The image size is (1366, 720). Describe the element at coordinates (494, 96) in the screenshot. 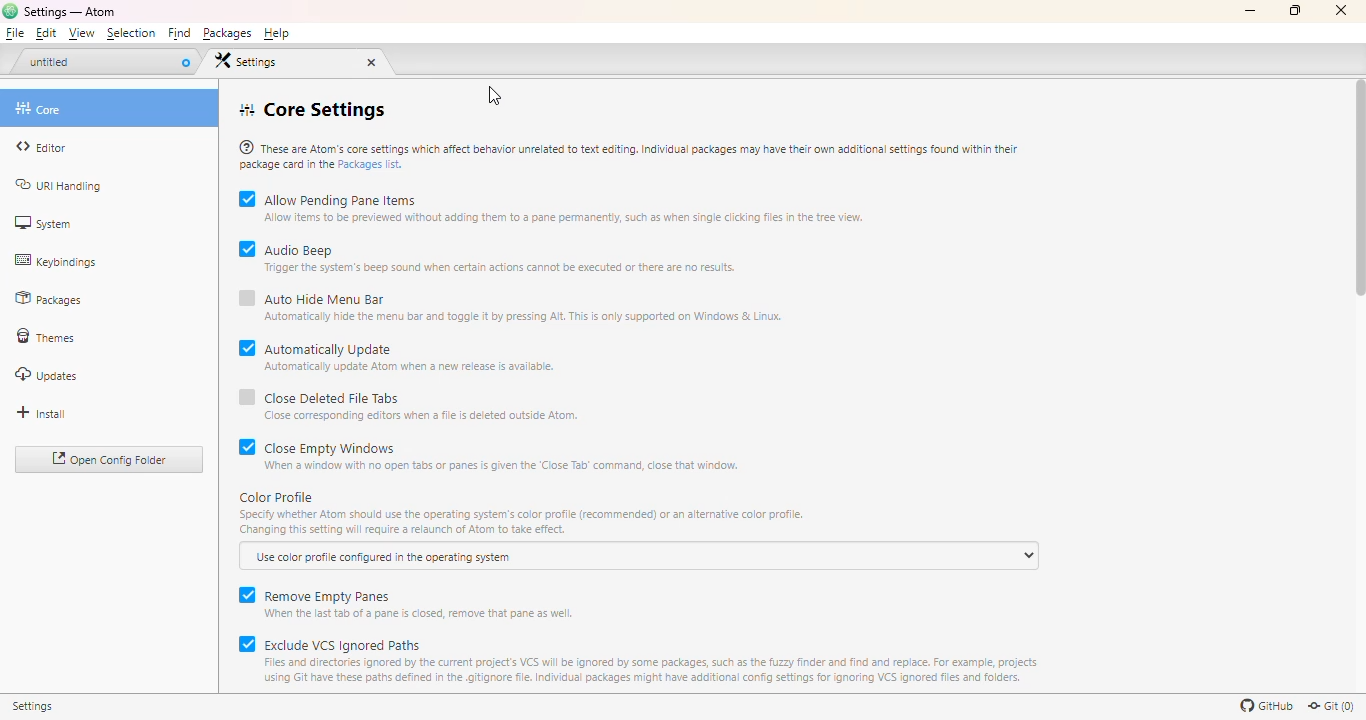

I see `cursor` at that location.